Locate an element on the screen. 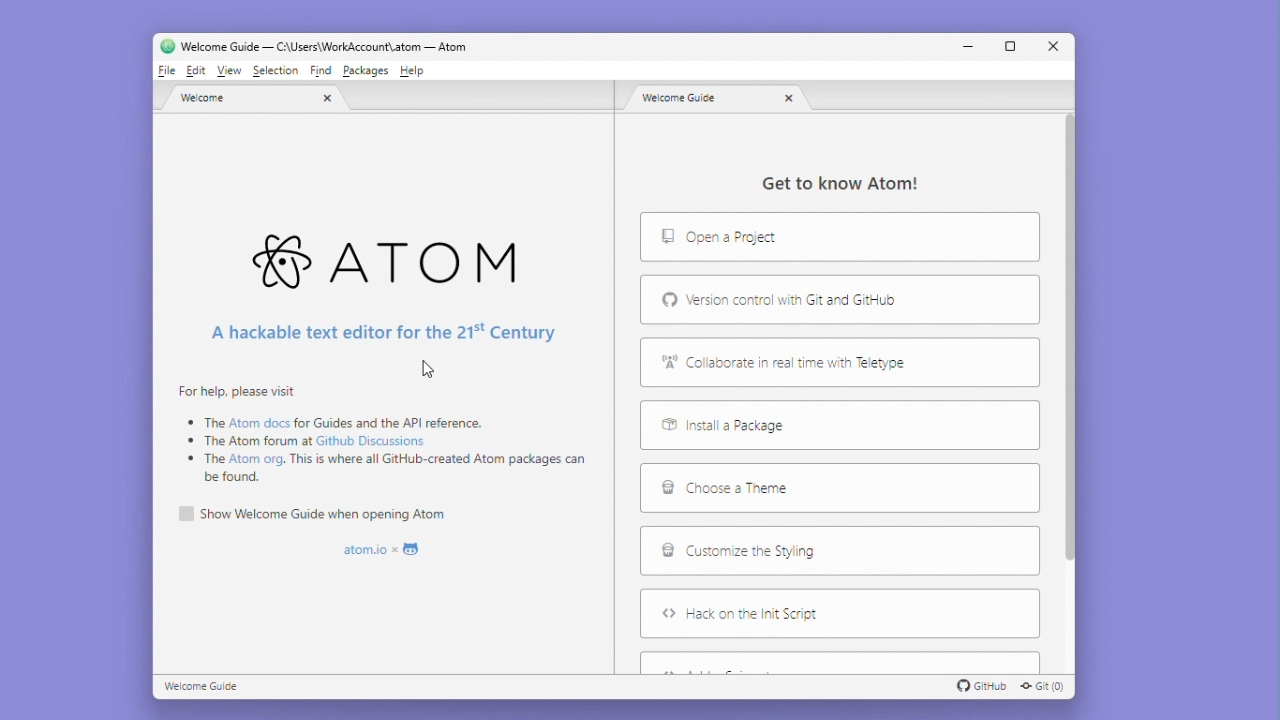 The height and width of the screenshot is (720, 1280). File is located at coordinates (168, 73).